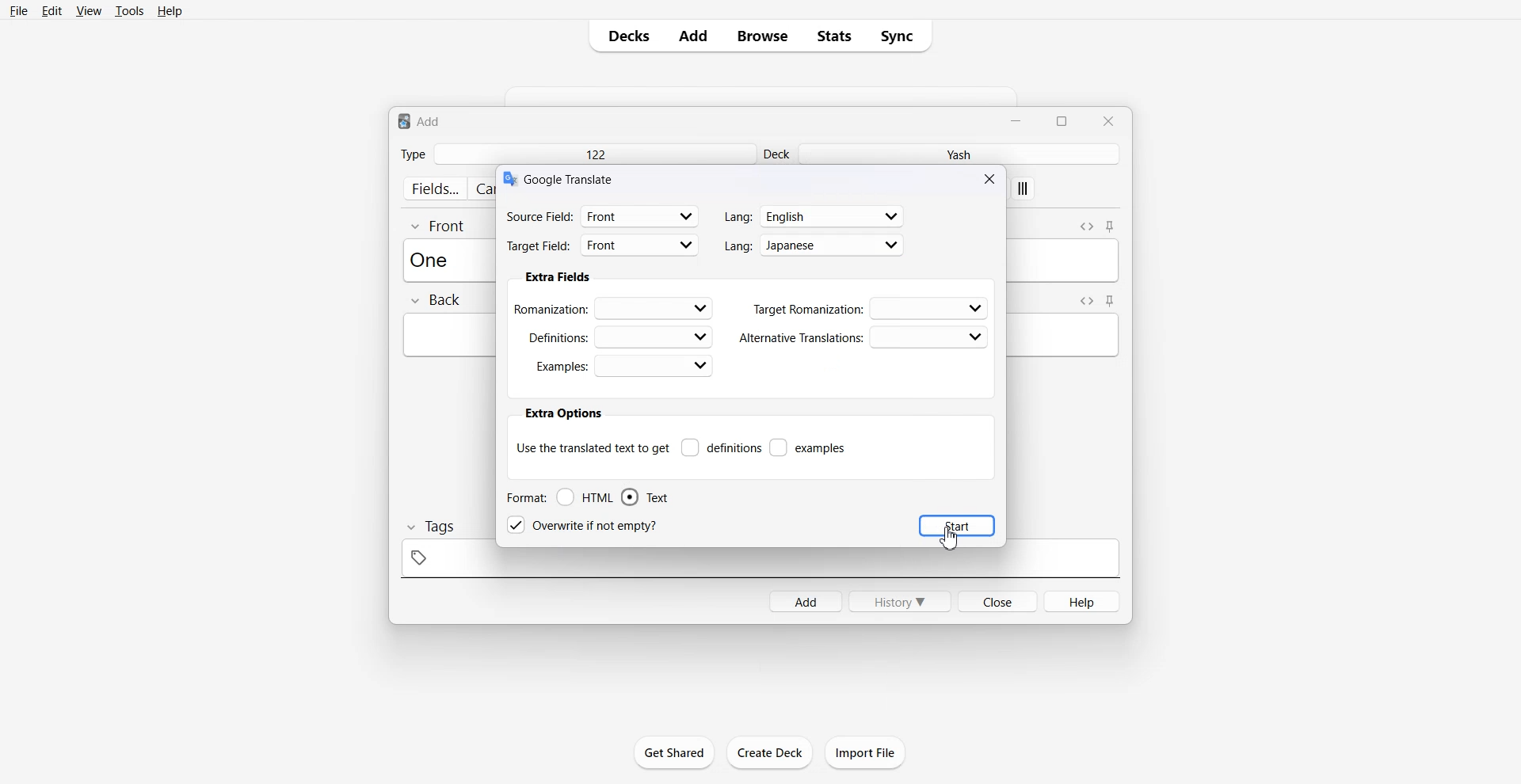 This screenshot has height=784, width=1521. Describe the element at coordinates (645, 497) in the screenshot. I see `Text` at that location.